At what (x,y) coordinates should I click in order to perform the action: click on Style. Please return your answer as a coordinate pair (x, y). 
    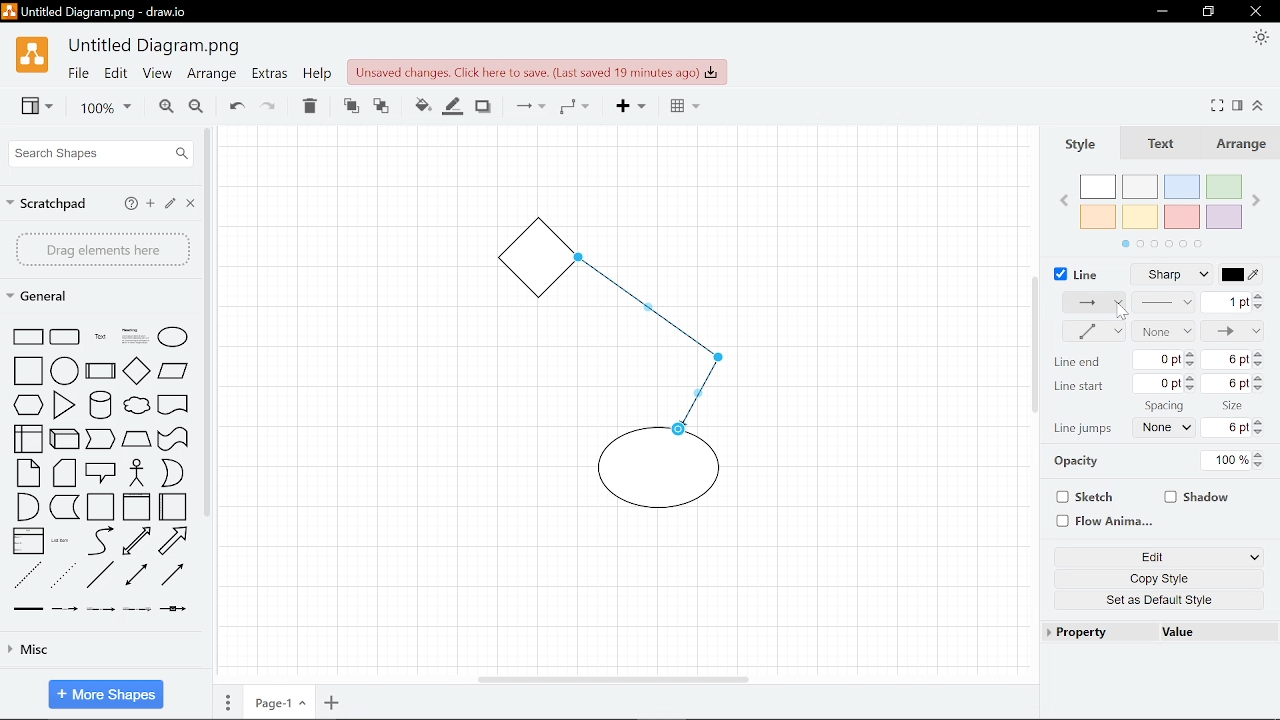
    Looking at the image, I should click on (1085, 145).